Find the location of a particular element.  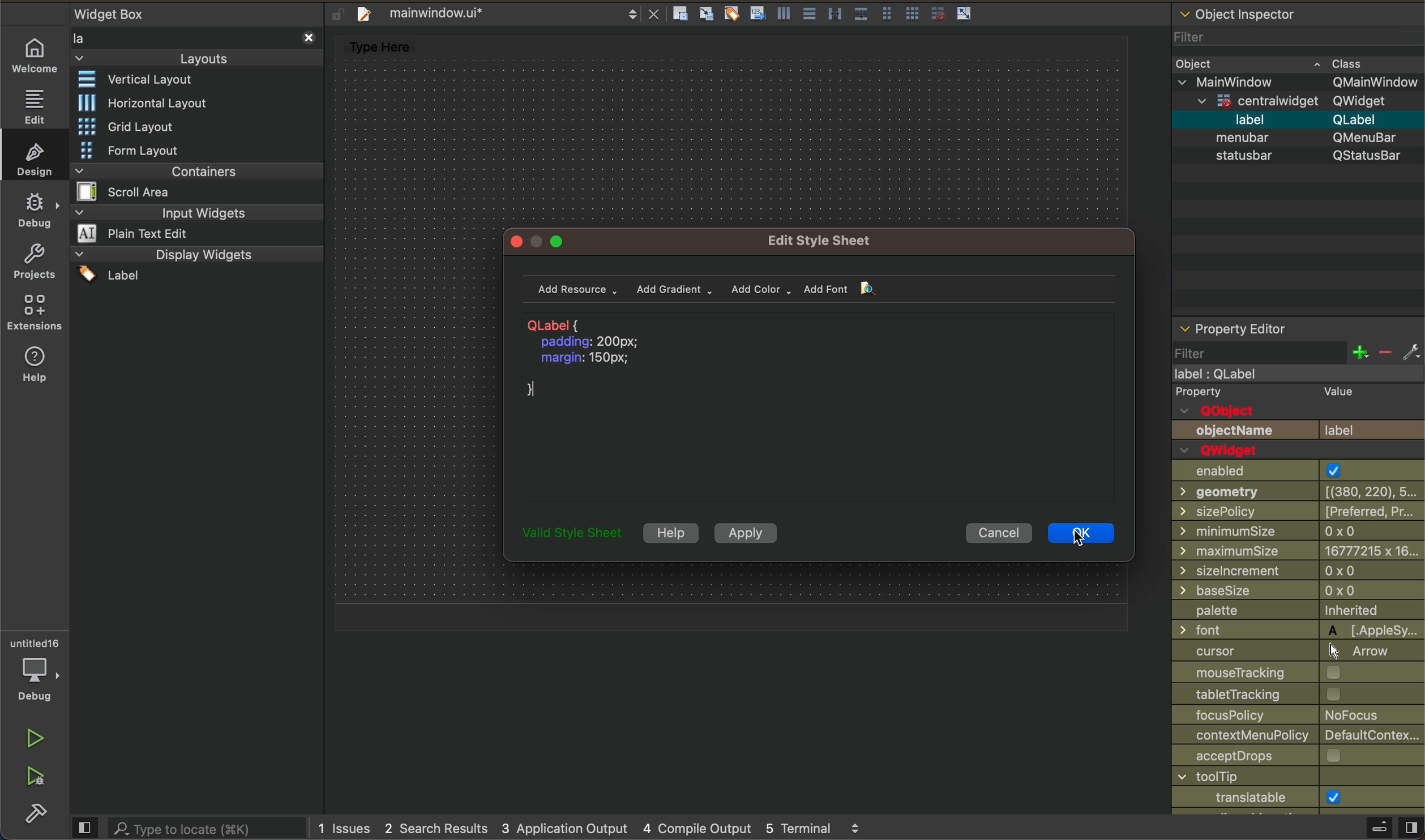

palette is located at coordinates (1290, 611).